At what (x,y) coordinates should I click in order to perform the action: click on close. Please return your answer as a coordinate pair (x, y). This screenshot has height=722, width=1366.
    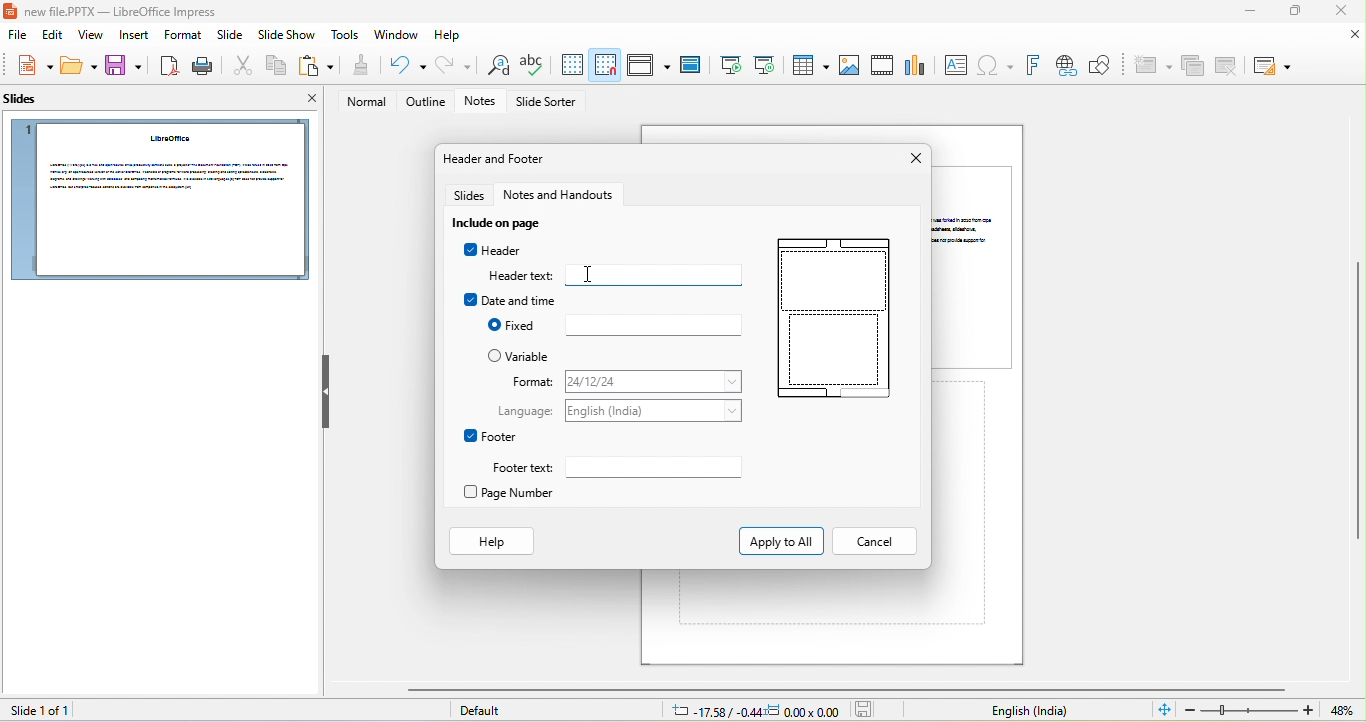
    Looking at the image, I should click on (1356, 35).